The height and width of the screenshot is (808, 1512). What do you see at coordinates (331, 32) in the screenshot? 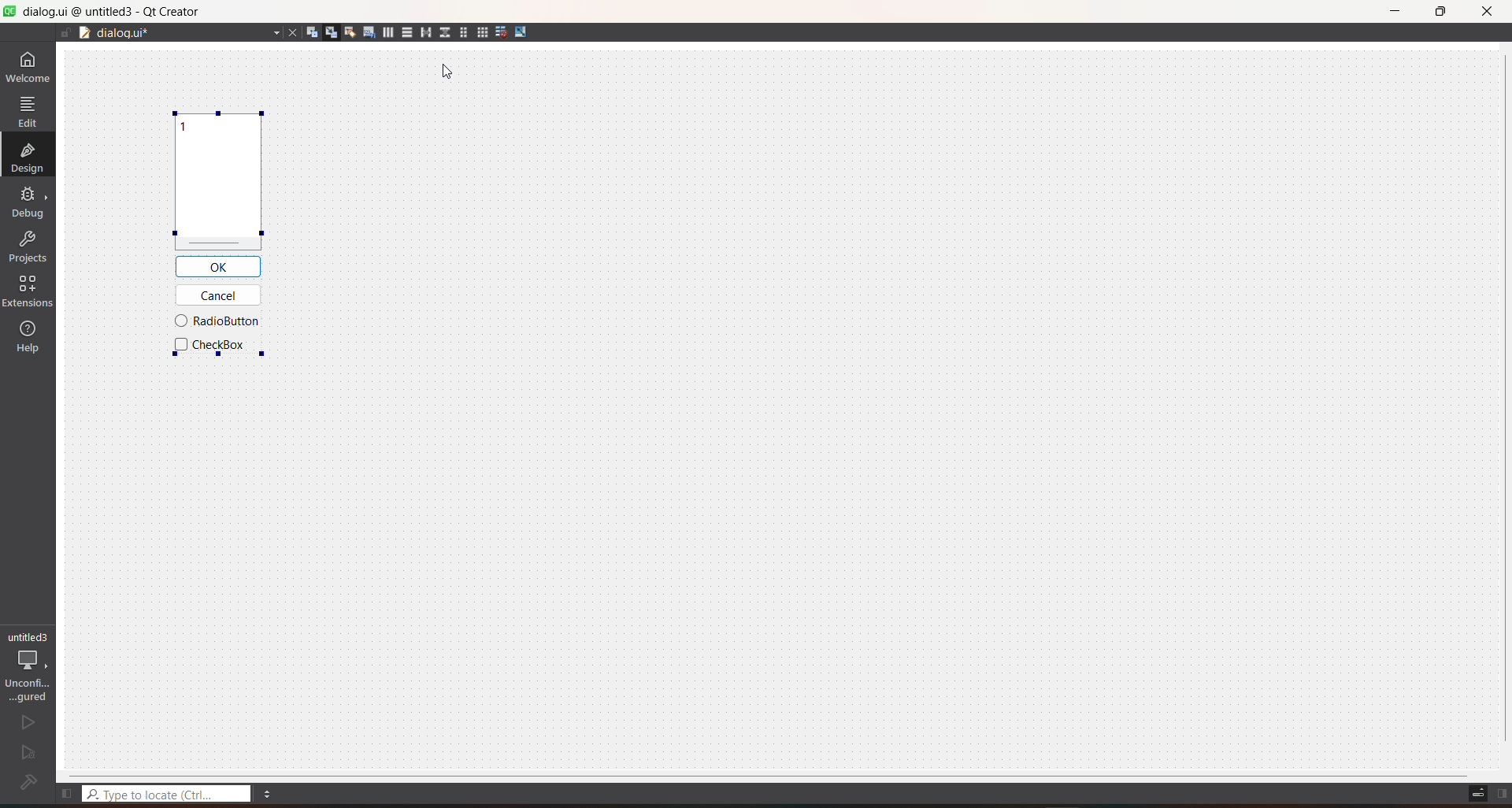
I see `edit signals` at bounding box center [331, 32].